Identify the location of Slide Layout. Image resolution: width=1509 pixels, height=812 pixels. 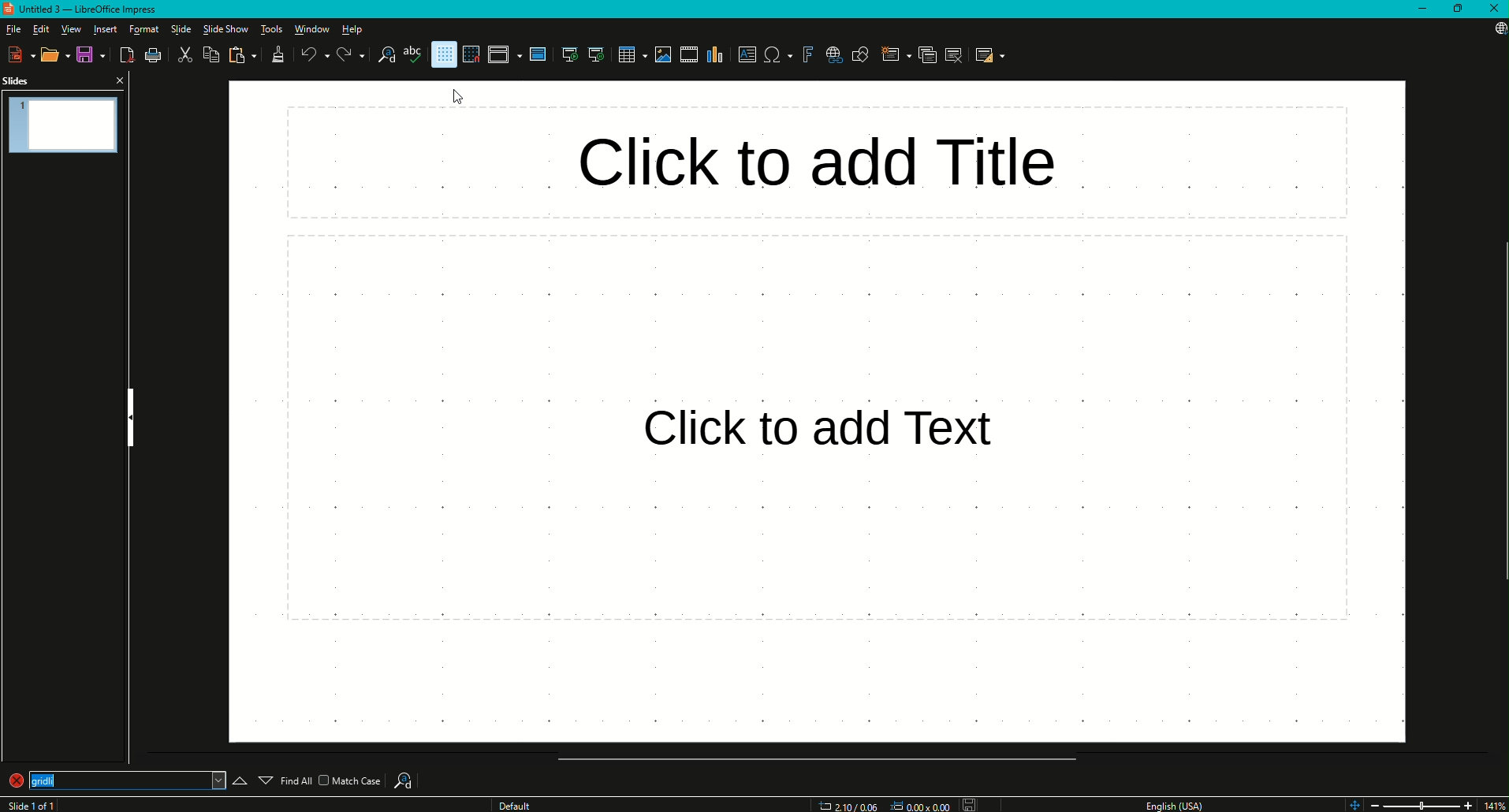
(993, 54).